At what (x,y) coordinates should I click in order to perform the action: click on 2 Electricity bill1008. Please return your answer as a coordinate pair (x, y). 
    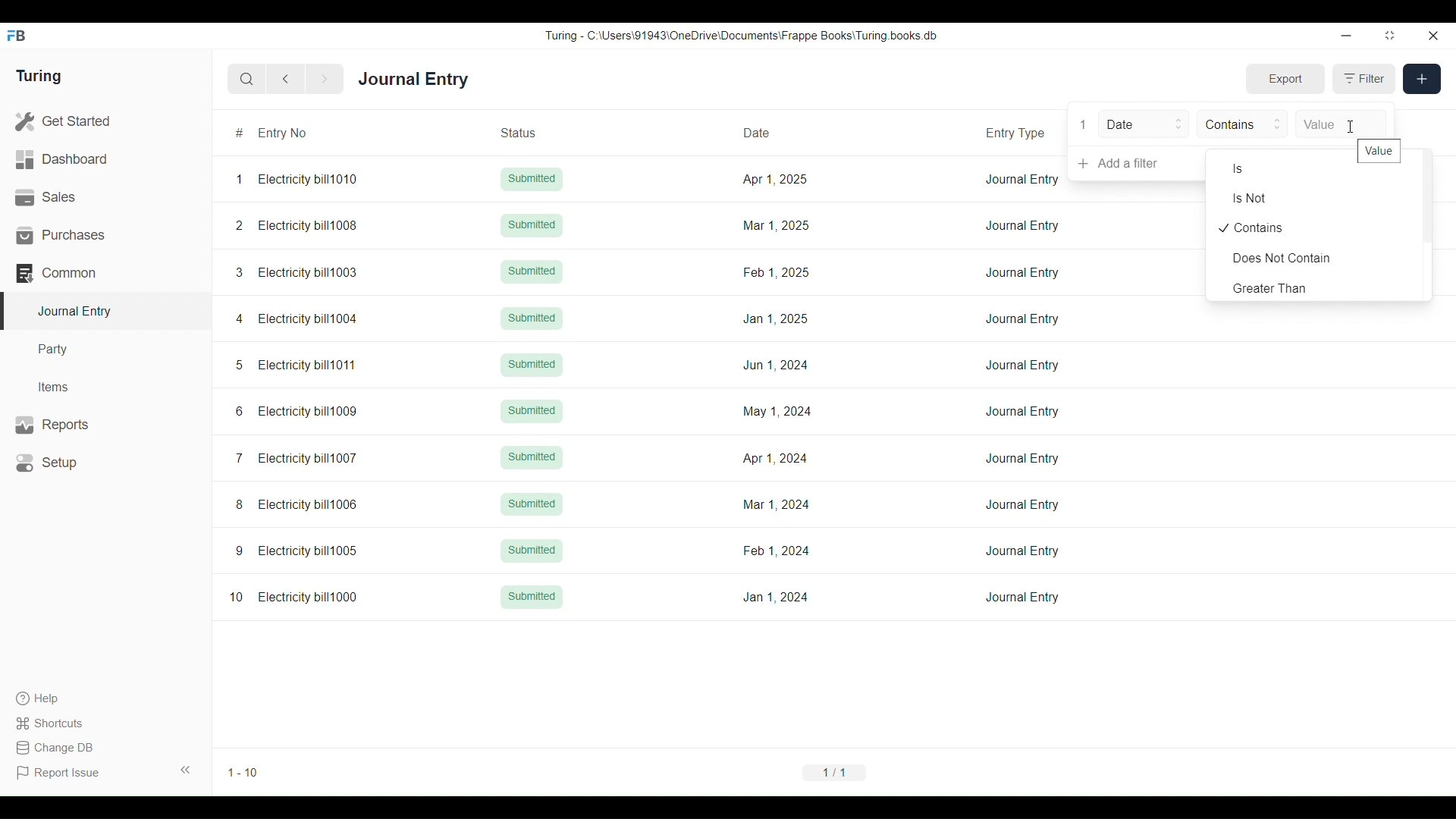
    Looking at the image, I should click on (297, 225).